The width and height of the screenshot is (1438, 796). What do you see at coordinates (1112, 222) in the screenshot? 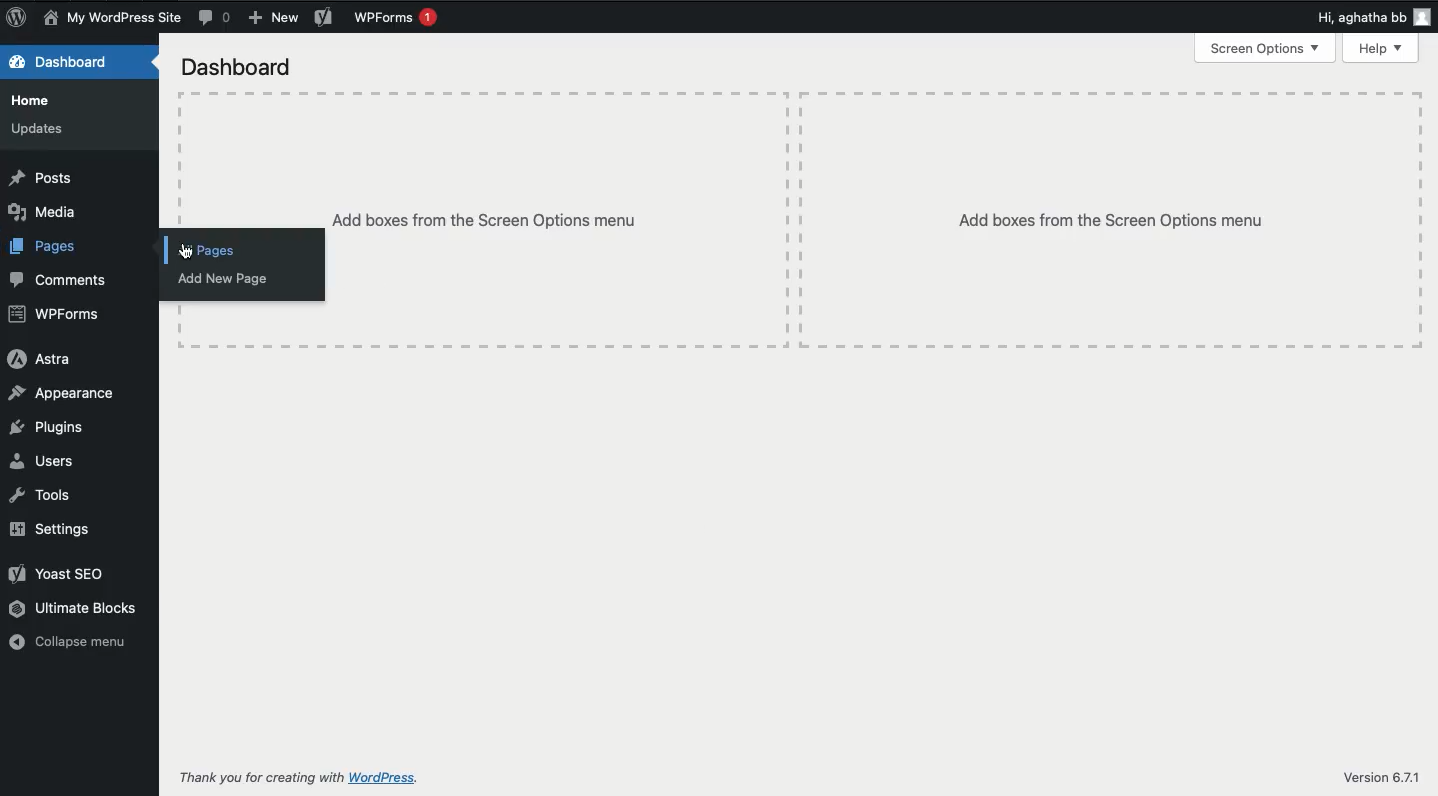
I see `Add boxes from the screen options menu` at bounding box center [1112, 222].